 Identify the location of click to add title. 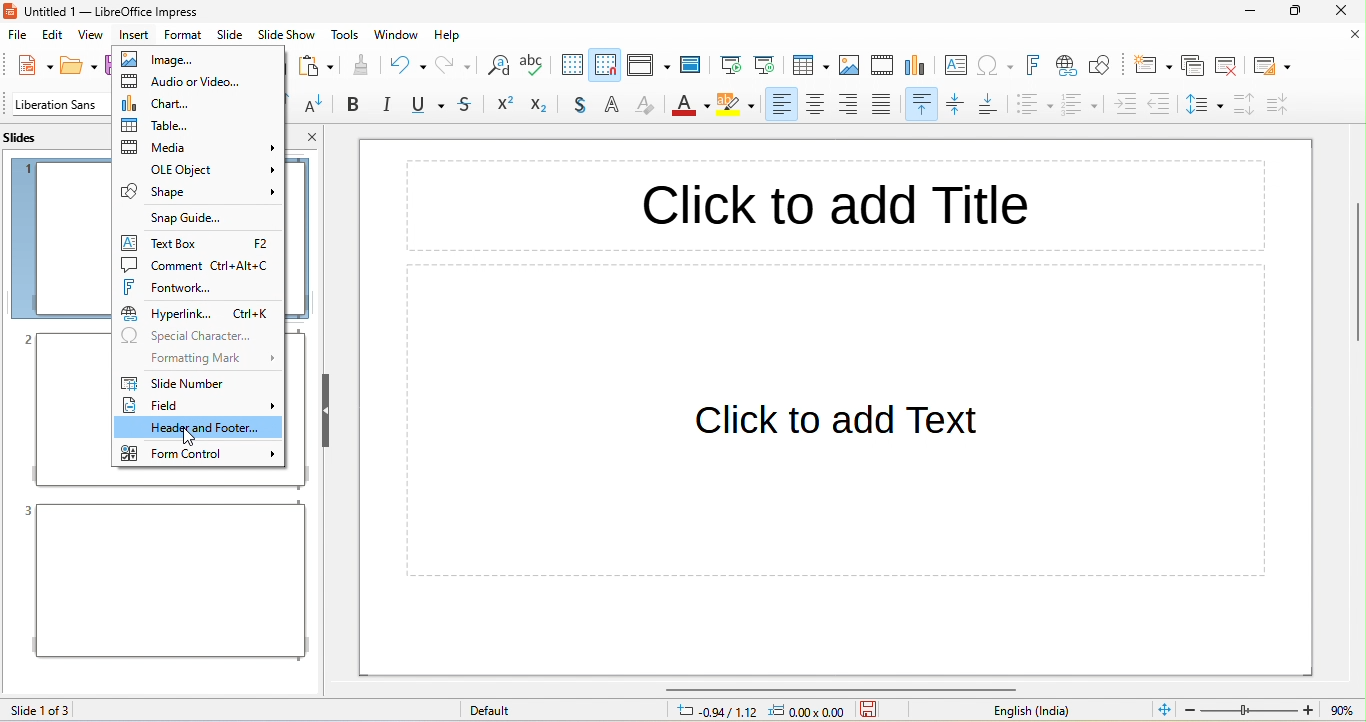
(836, 206).